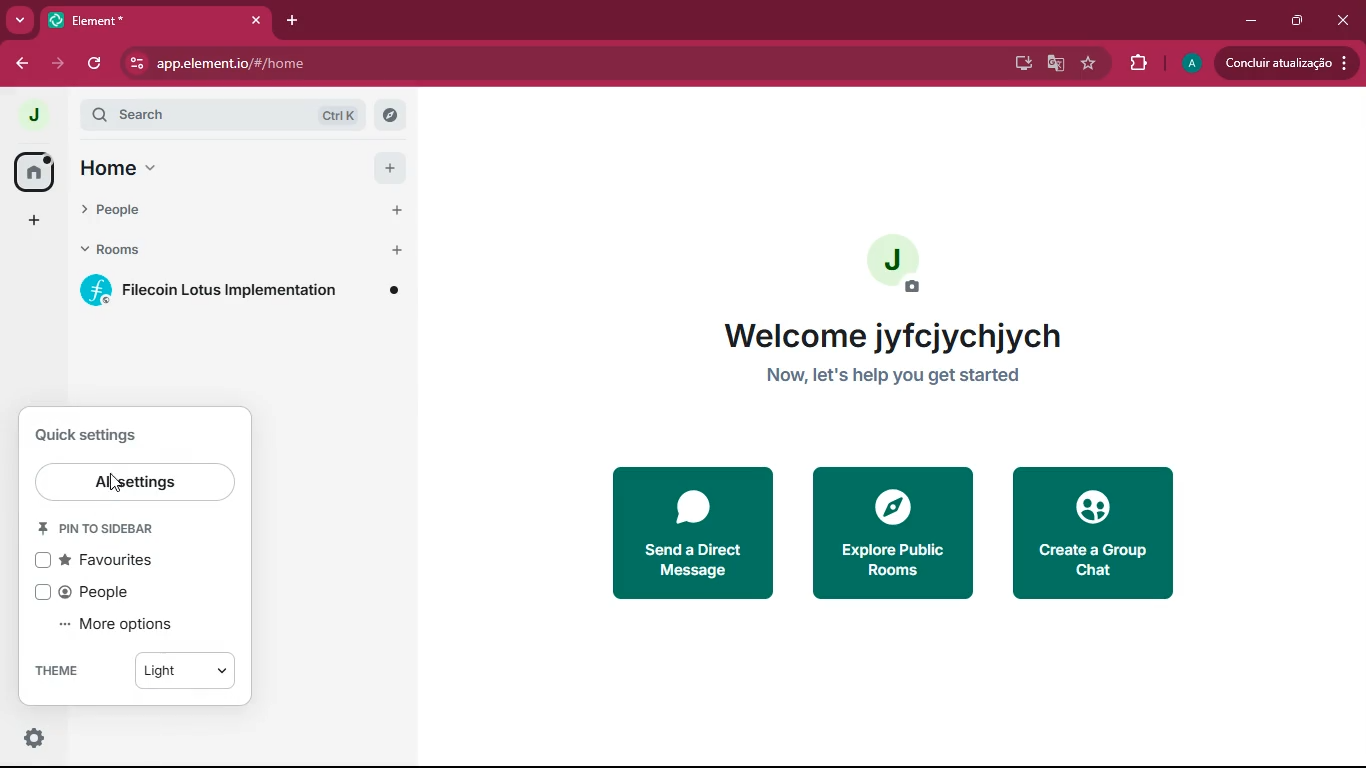  What do you see at coordinates (700, 529) in the screenshot?
I see `send a direct message` at bounding box center [700, 529].